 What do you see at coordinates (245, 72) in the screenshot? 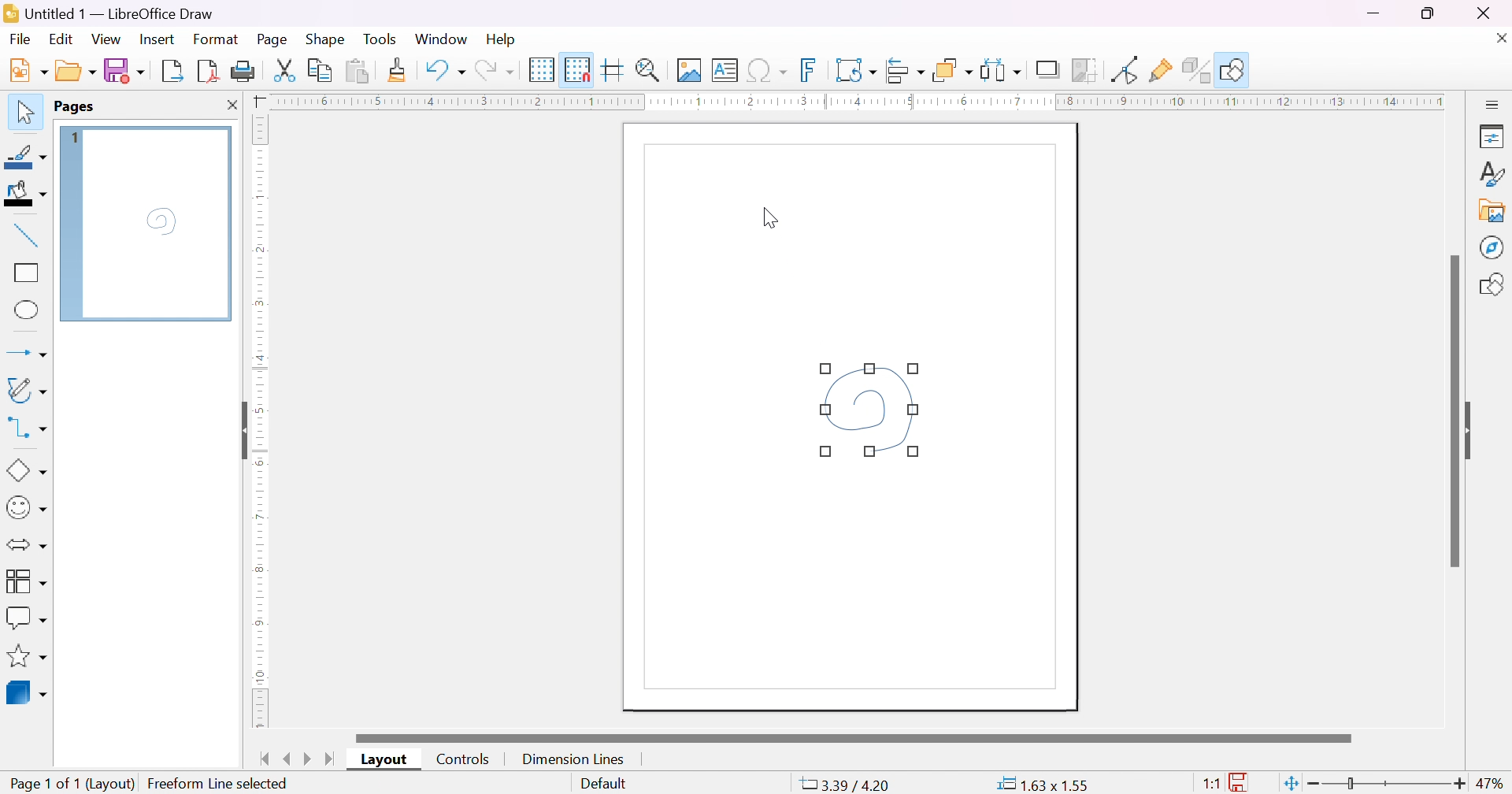
I see `print` at bounding box center [245, 72].